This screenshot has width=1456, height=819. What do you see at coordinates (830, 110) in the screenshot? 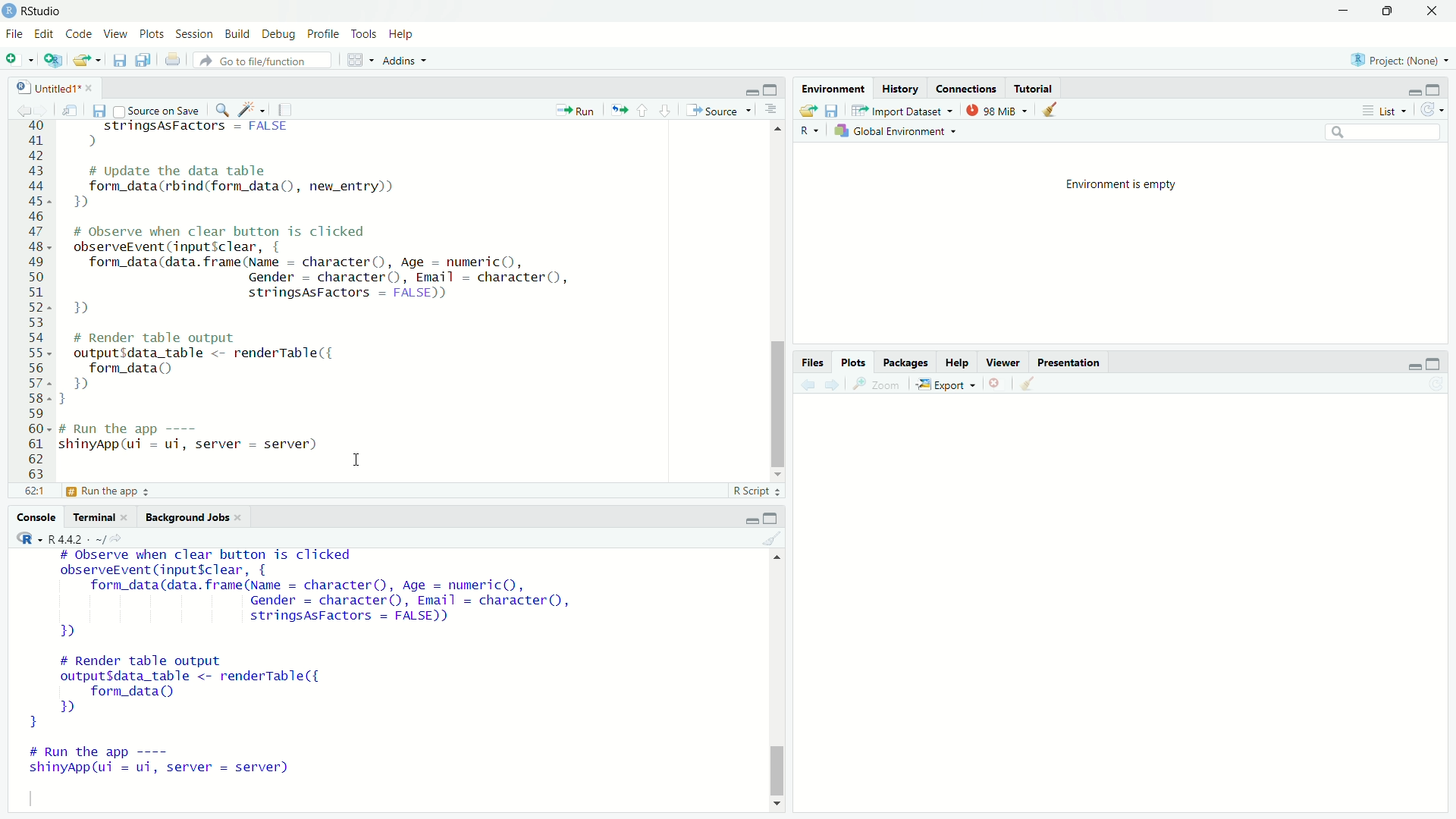
I see `save workspace as` at bounding box center [830, 110].